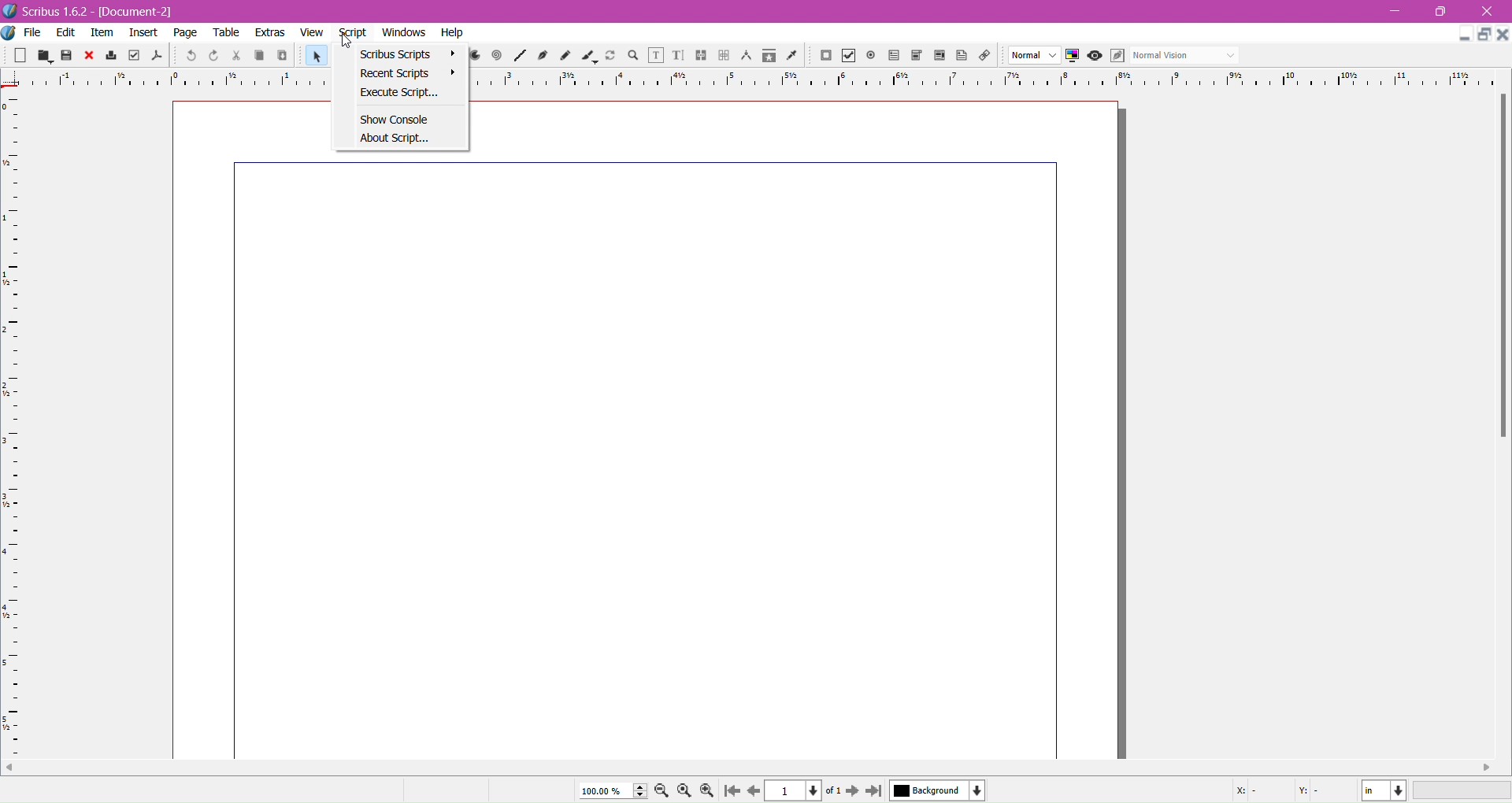 The image size is (1512, 803). I want to click on PDF Push Button, so click(826, 56).